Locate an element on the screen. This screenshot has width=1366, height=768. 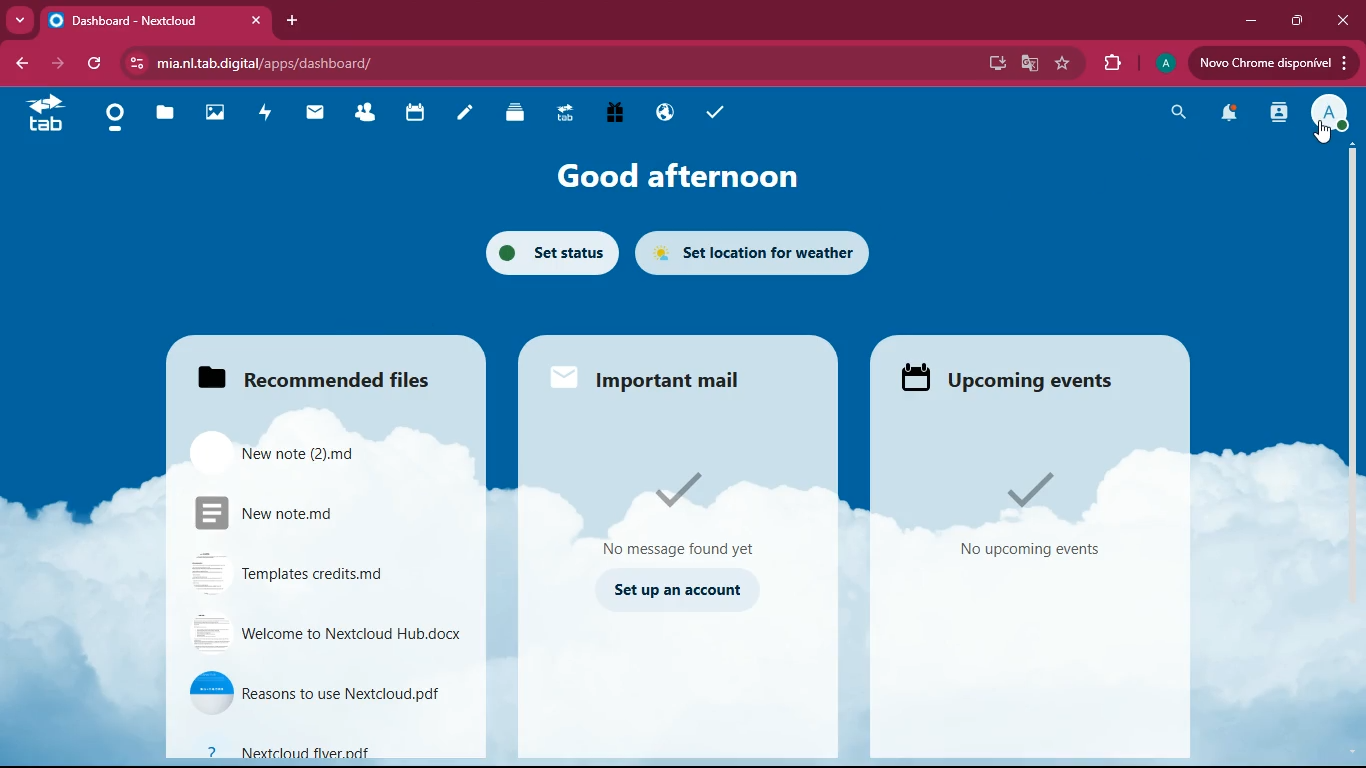
scroll bar is located at coordinates (1351, 319).